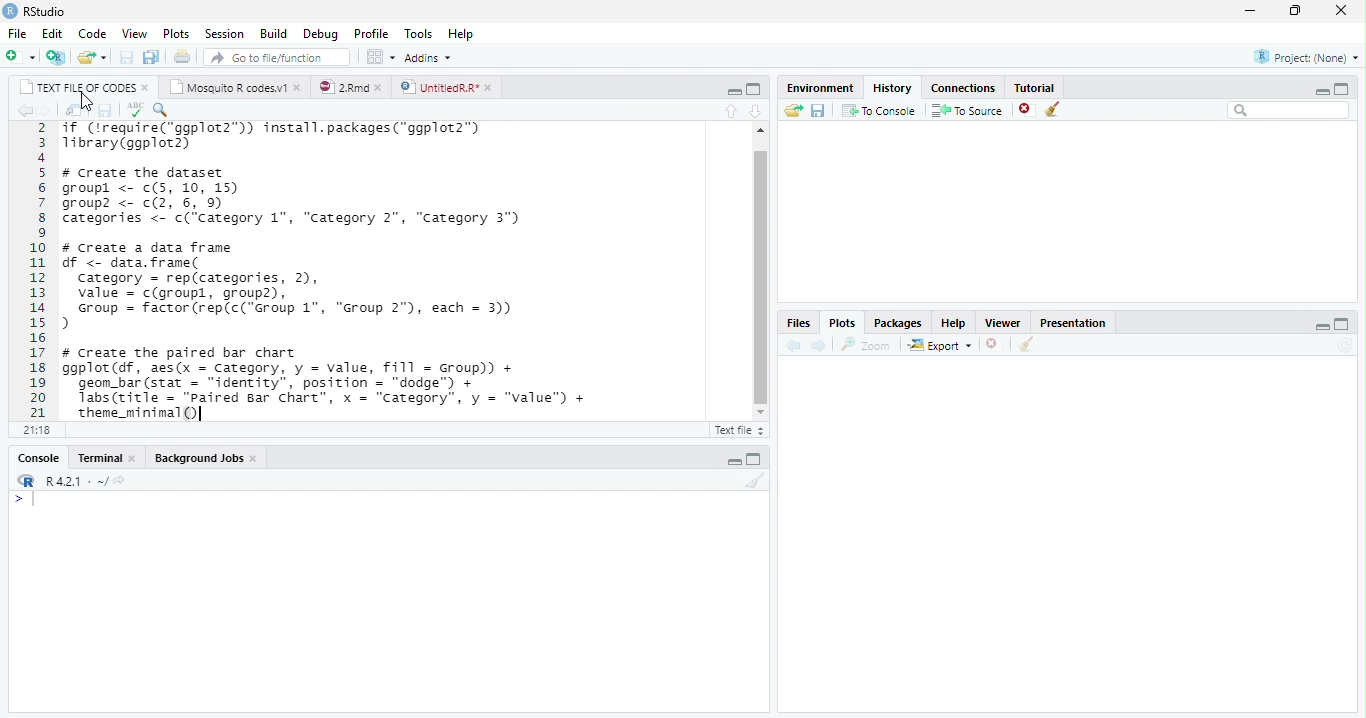 The width and height of the screenshot is (1366, 718). Describe the element at coordinates (320, 33) in the screenshot. I see `debug` at that location.